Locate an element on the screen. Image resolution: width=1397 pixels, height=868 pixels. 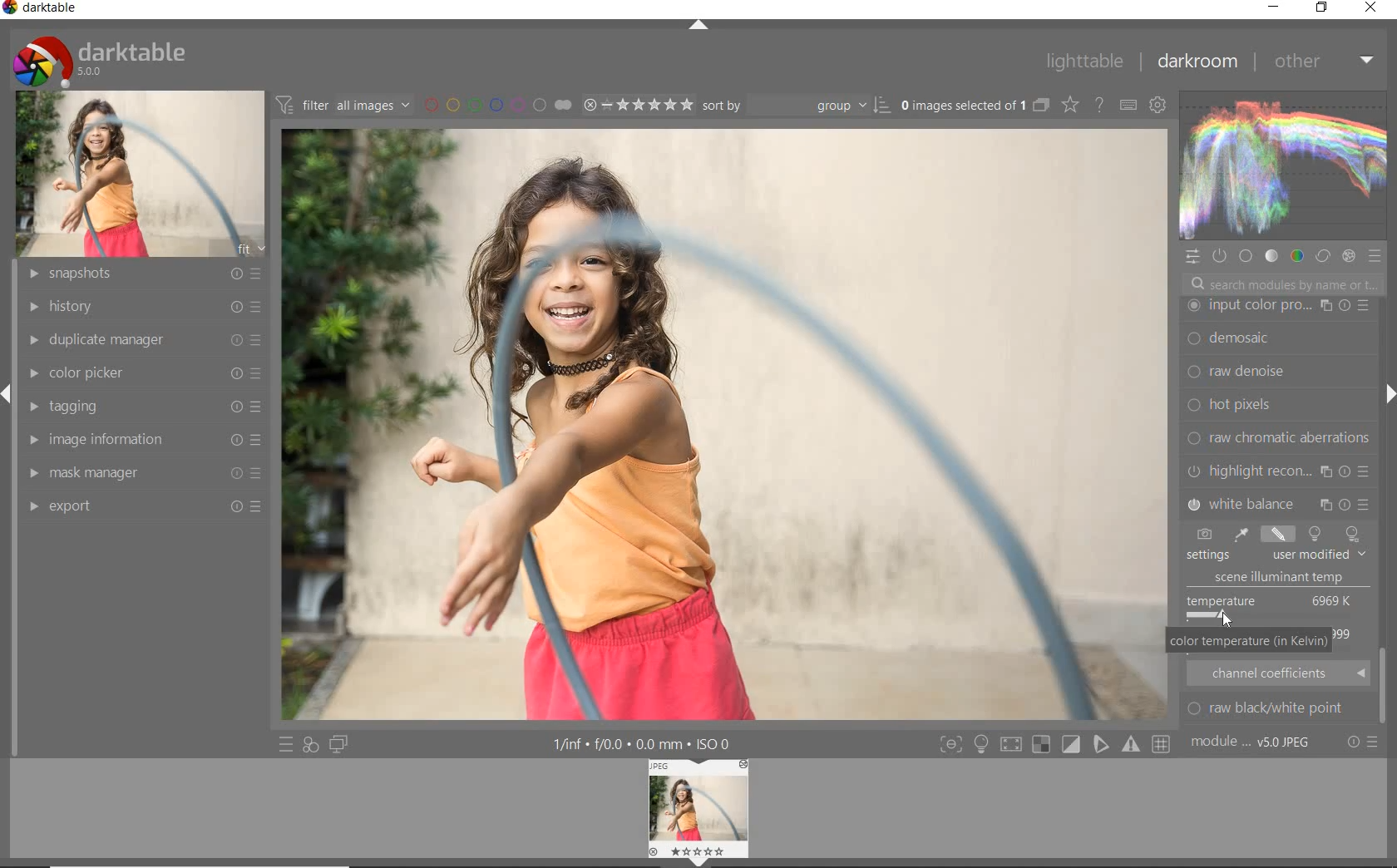
TEMPERATURE is located at coordinates (1273, 557).